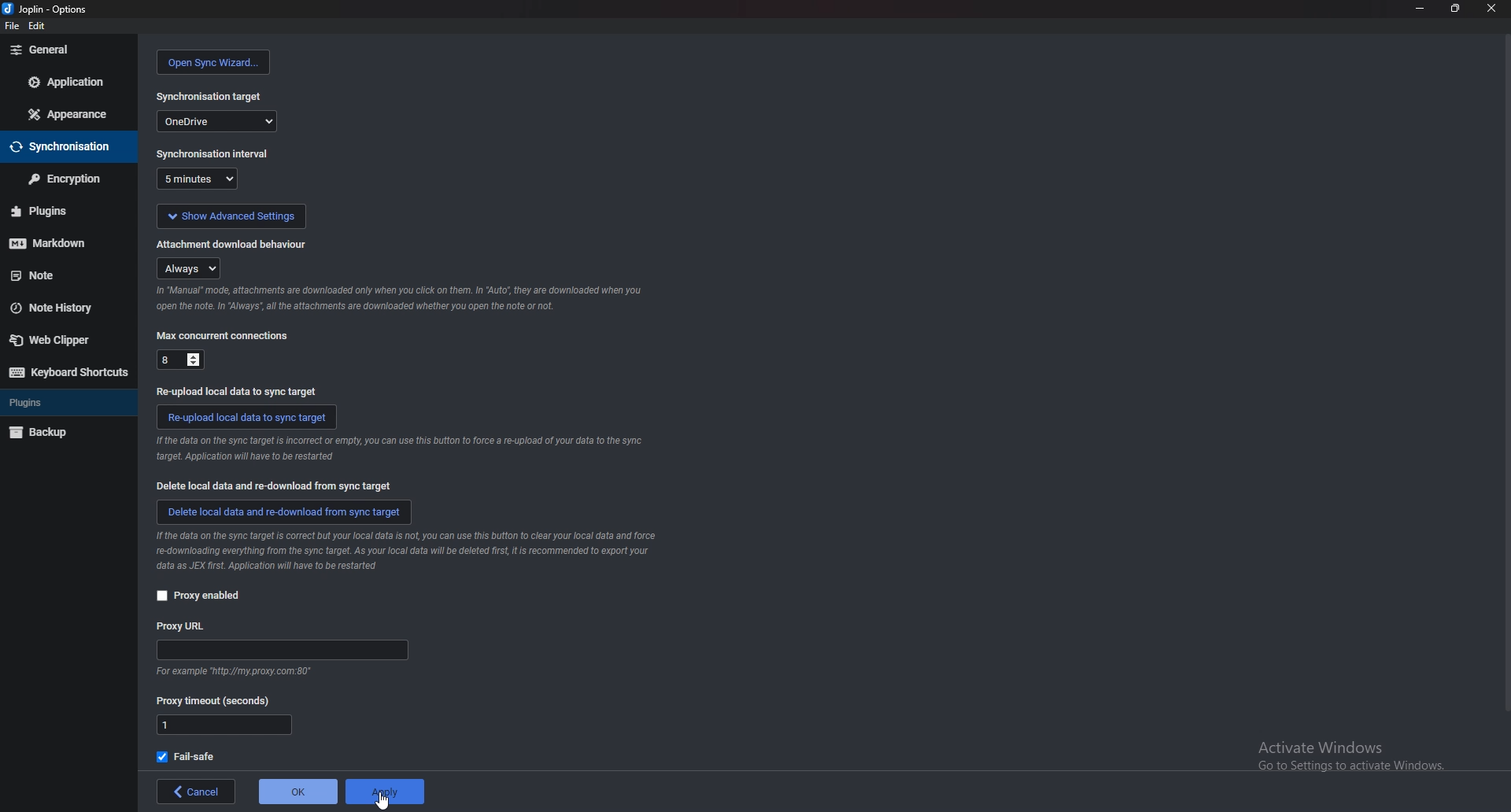 Image resolution: width=1511 pixels, height=812 pixels. I want to click on reupload local disk to sync target, so click(247, 418).